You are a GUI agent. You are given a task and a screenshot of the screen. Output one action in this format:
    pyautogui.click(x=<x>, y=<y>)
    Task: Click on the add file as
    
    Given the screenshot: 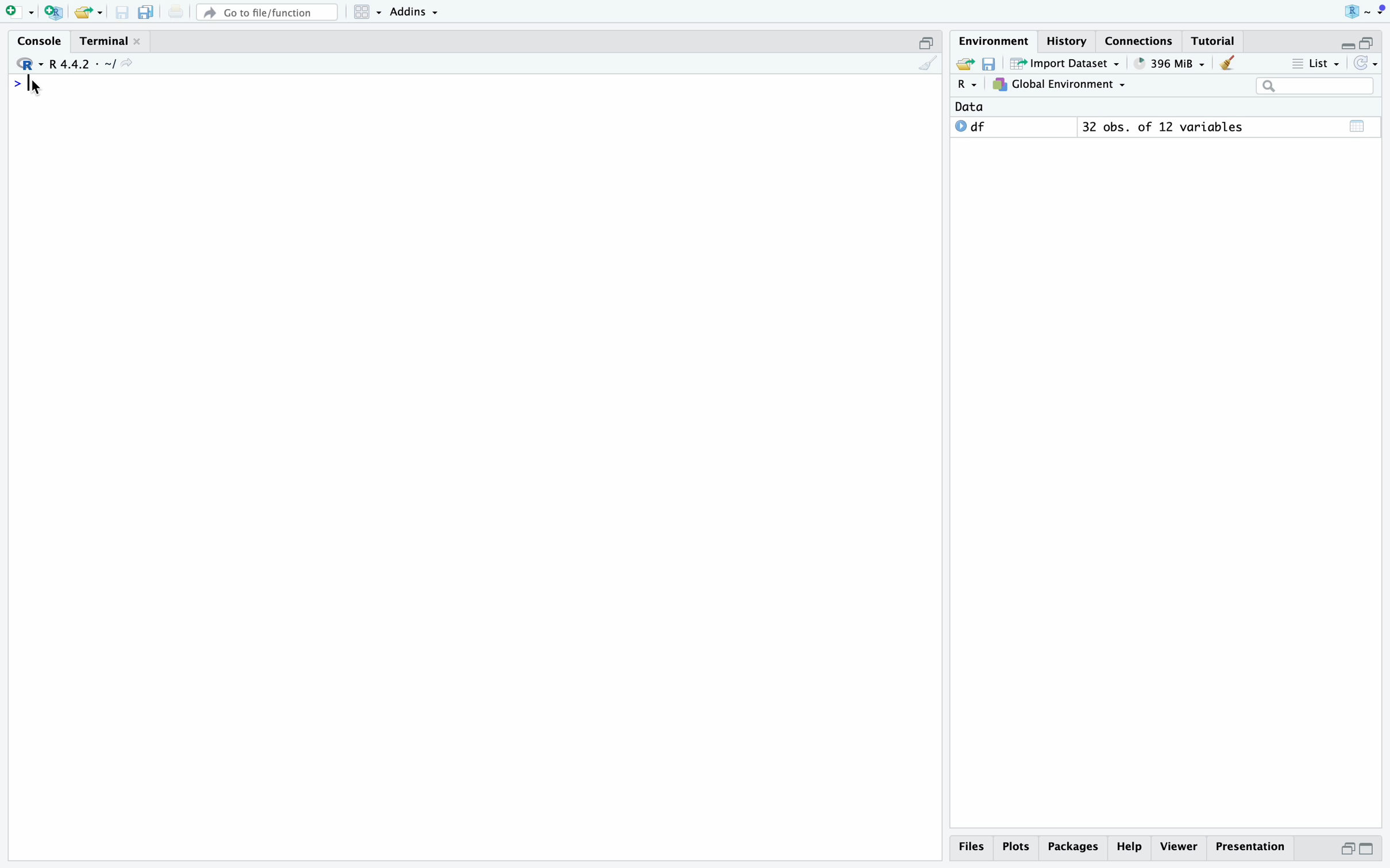 What is the action you would take?
    pyautogui.click(x=22, y=13)
    